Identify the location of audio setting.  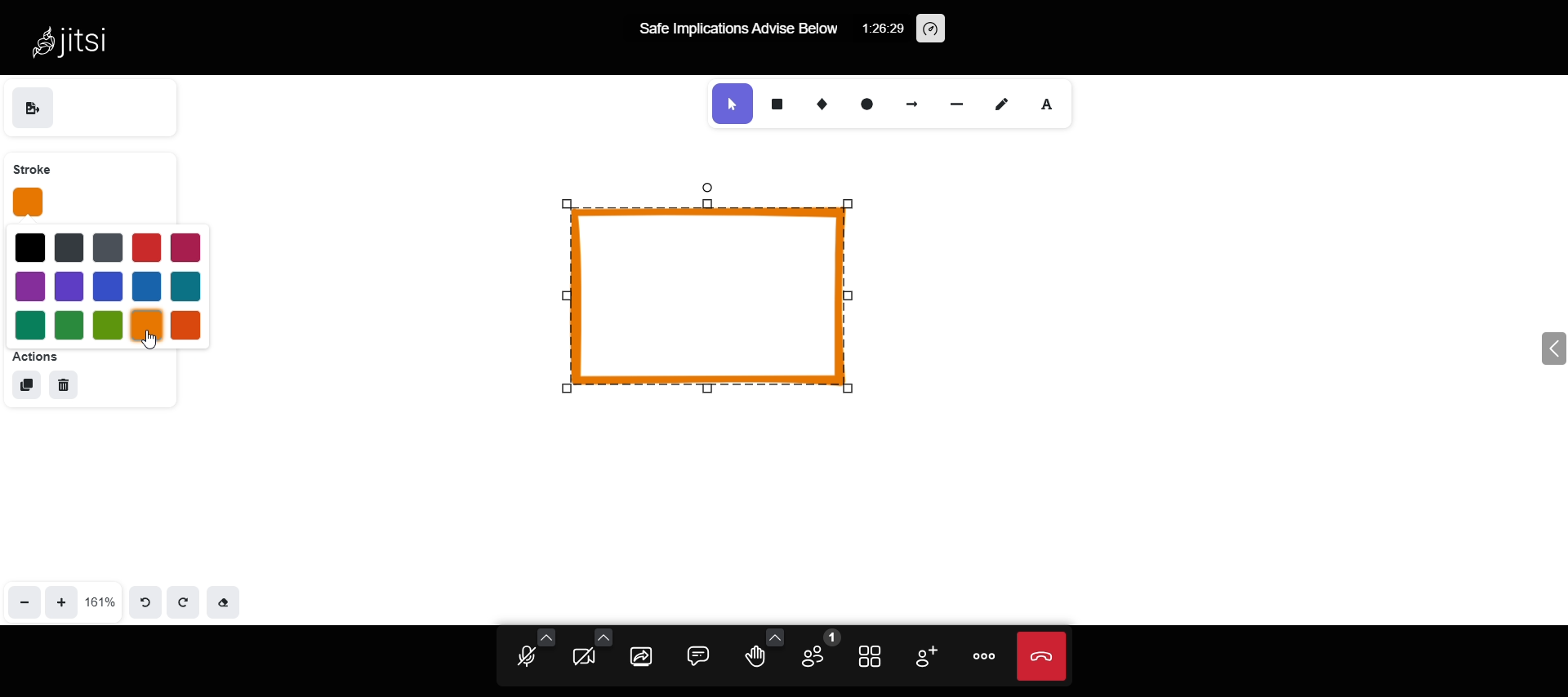
(544, 635).